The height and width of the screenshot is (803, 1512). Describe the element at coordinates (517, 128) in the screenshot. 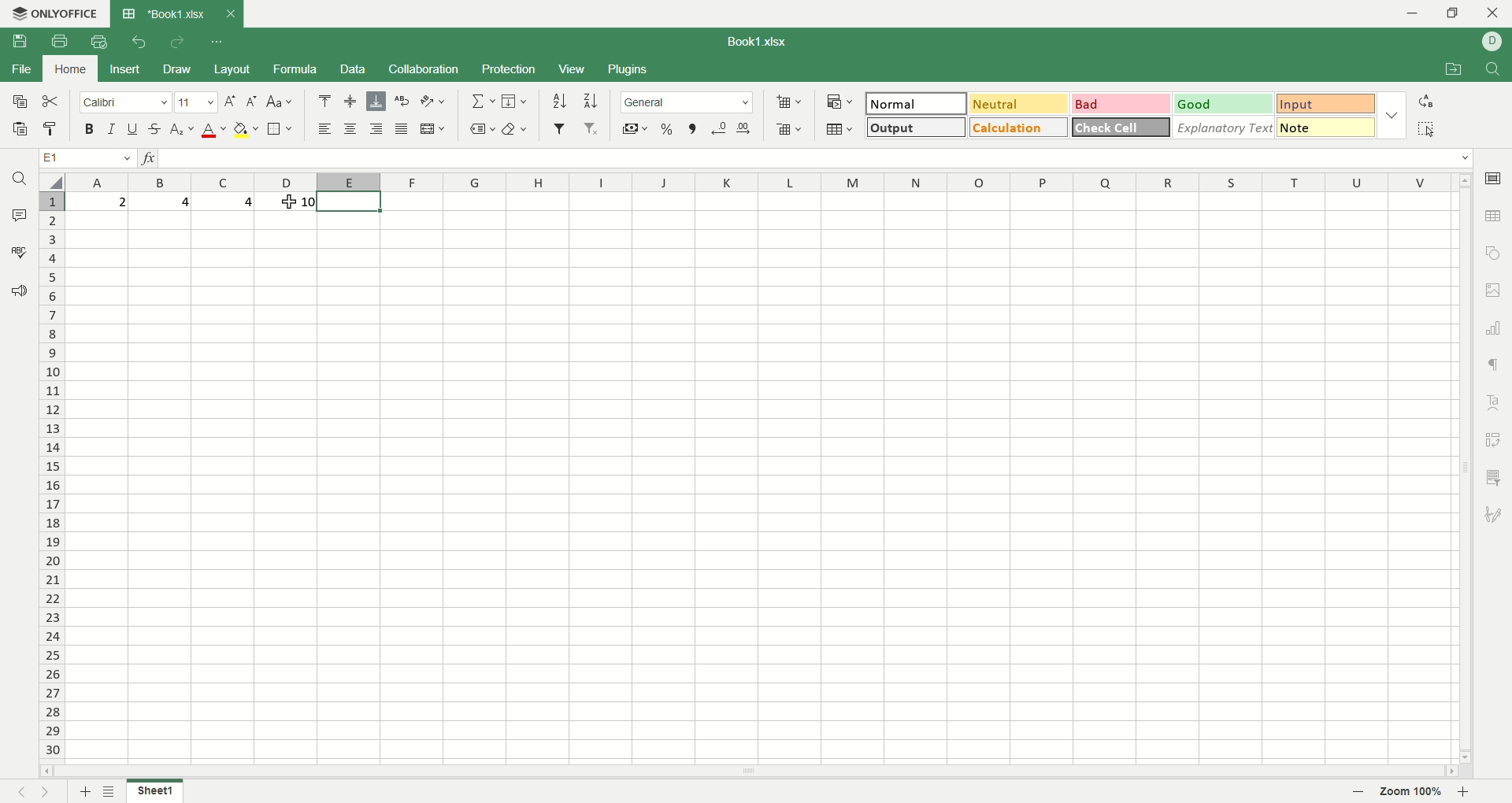

I see `clear` at that location.